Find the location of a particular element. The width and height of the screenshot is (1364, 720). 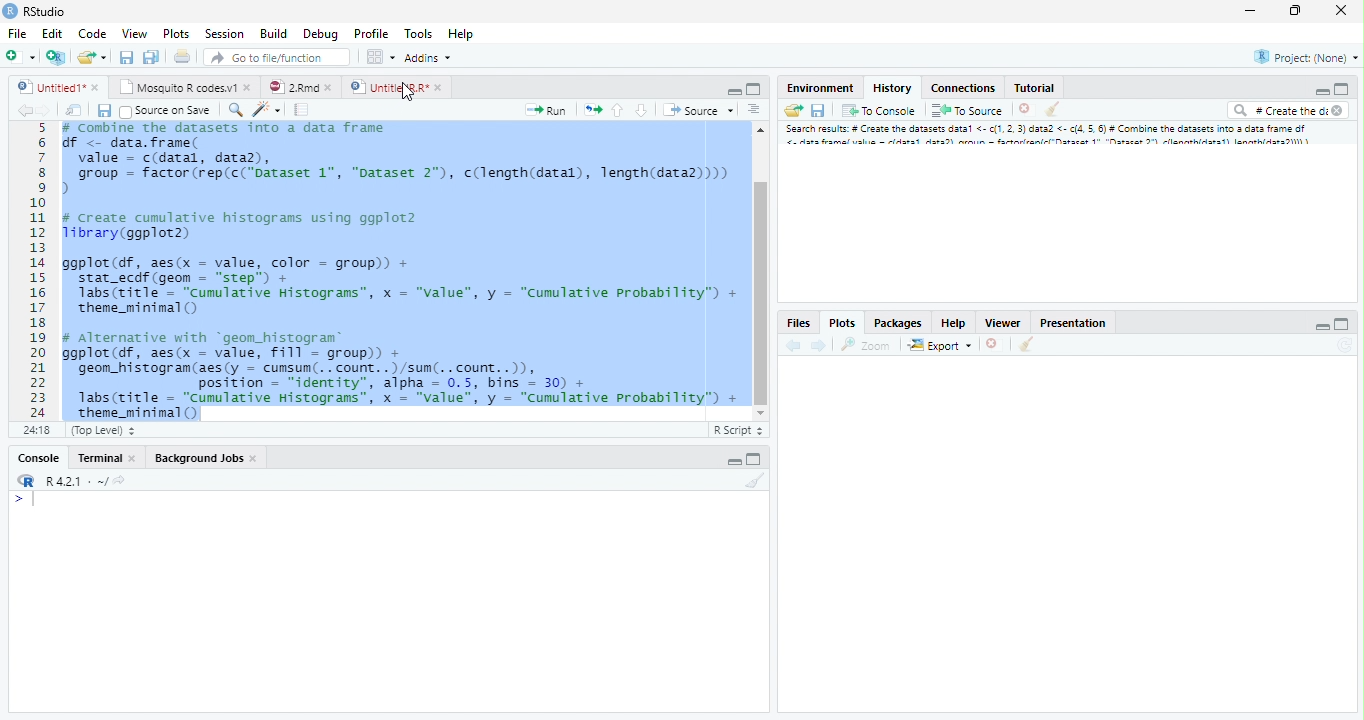

Addins is located at coordinates (429, 59).